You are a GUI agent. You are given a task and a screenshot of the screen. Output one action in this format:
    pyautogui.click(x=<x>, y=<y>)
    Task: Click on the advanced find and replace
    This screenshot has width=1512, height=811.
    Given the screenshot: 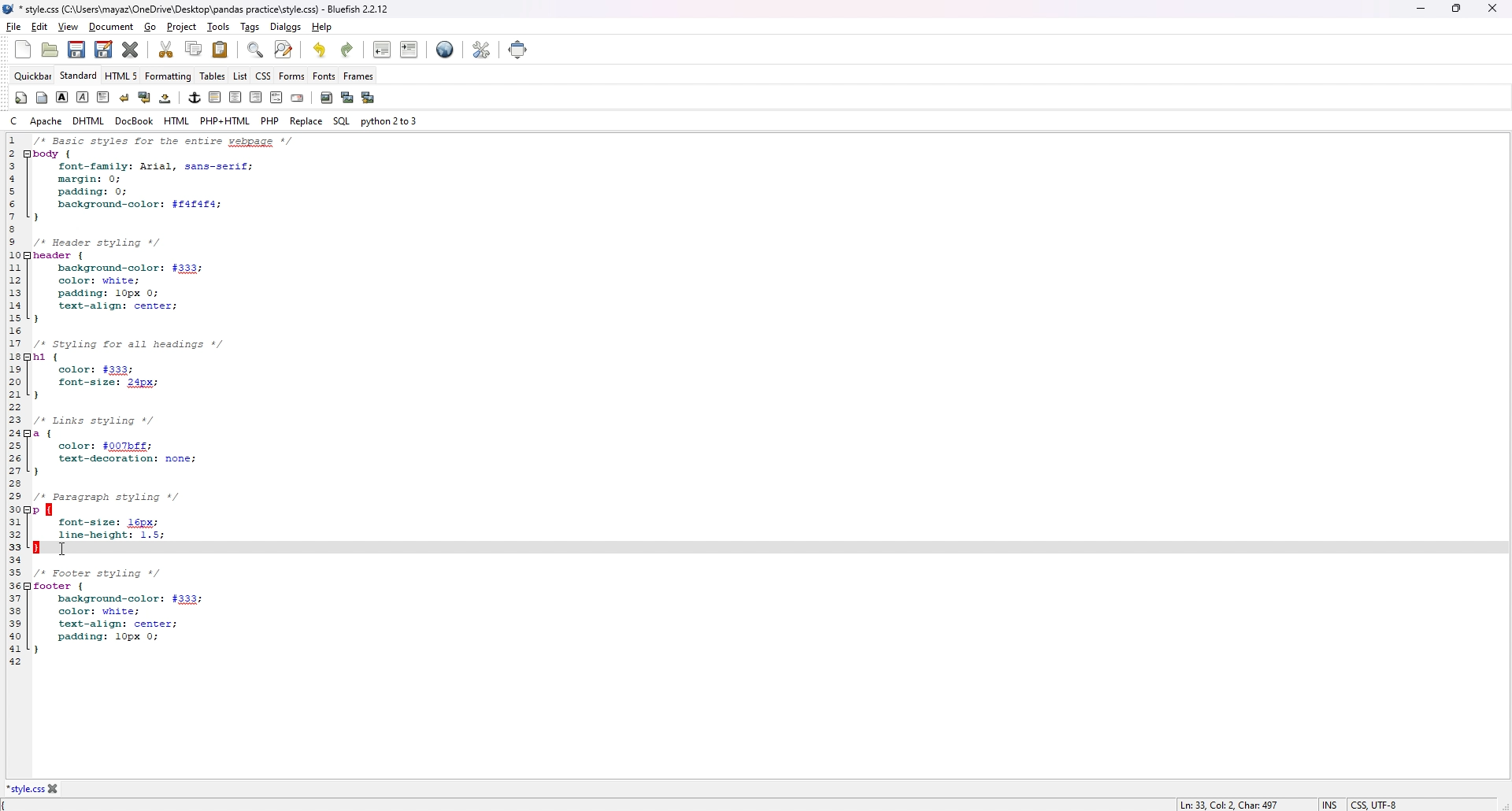 What is the action you would take?
    pyautogui.click(x=284, y=49)
    